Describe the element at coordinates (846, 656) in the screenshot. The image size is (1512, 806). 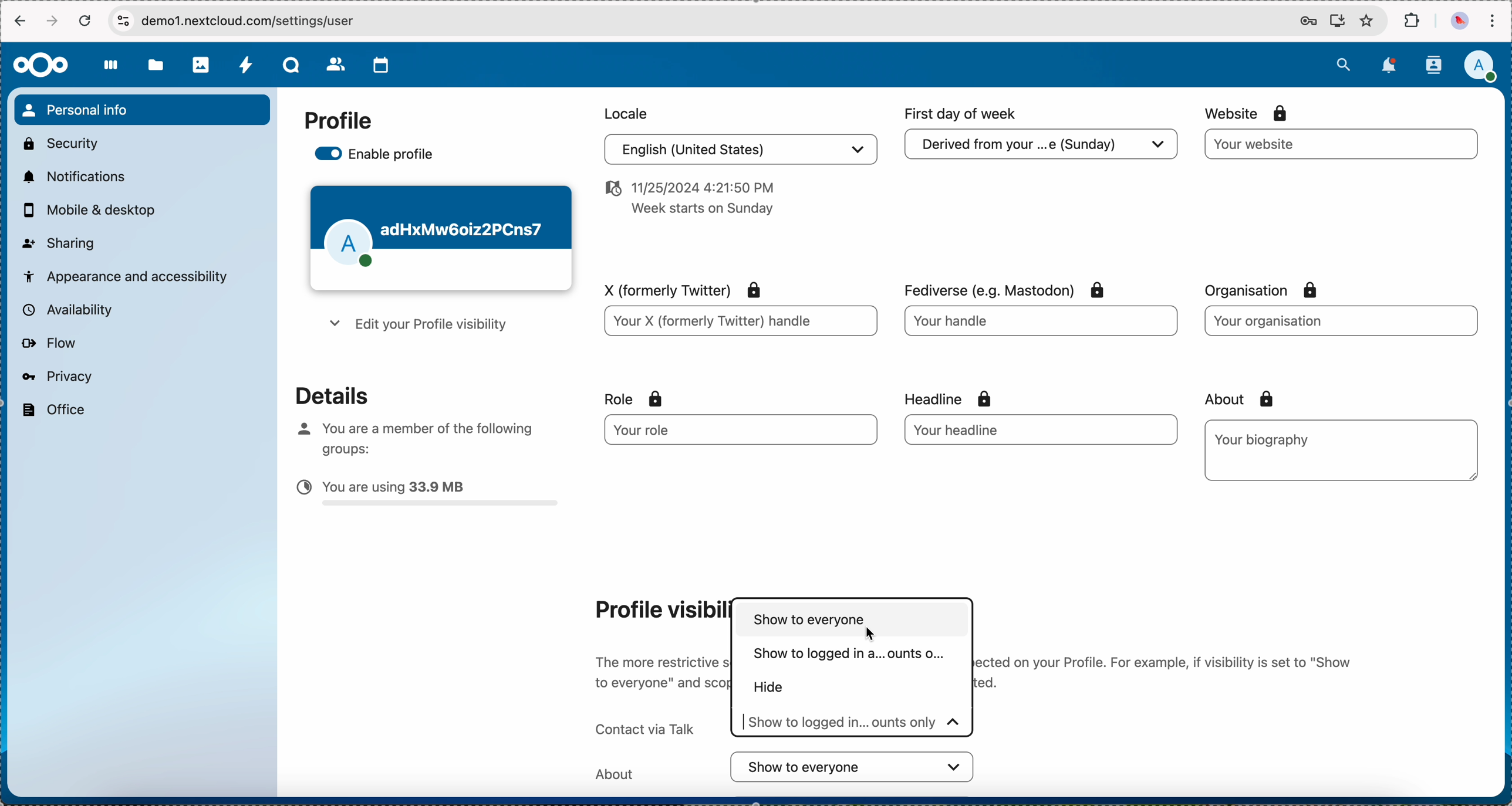
I see `show to logged in` at that location.